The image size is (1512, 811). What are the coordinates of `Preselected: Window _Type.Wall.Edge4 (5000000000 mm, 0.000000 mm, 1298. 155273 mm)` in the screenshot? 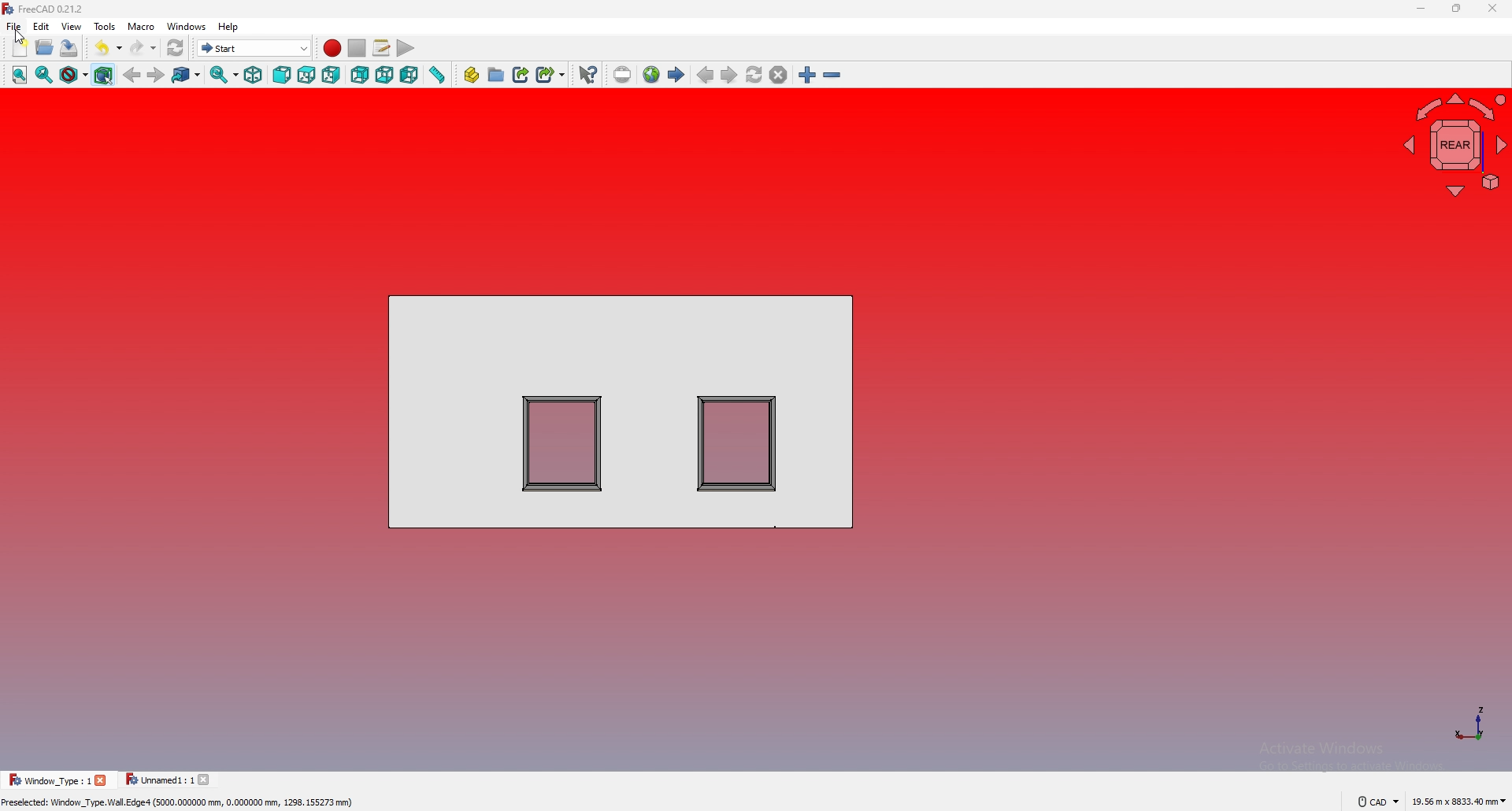 It's located at (182, 803).